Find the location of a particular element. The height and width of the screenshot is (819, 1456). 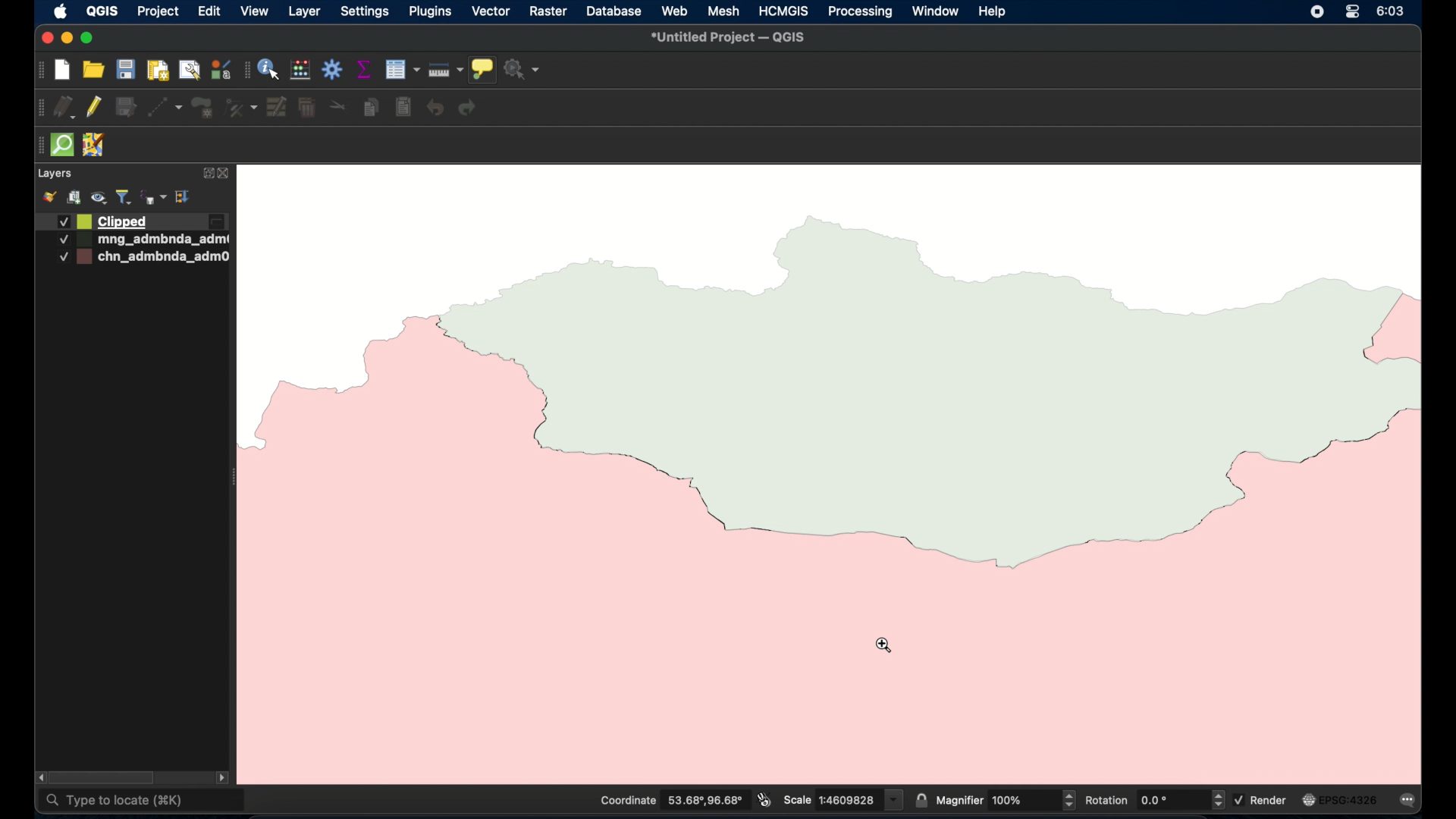

filter legend is located at coordinates (124, 197).